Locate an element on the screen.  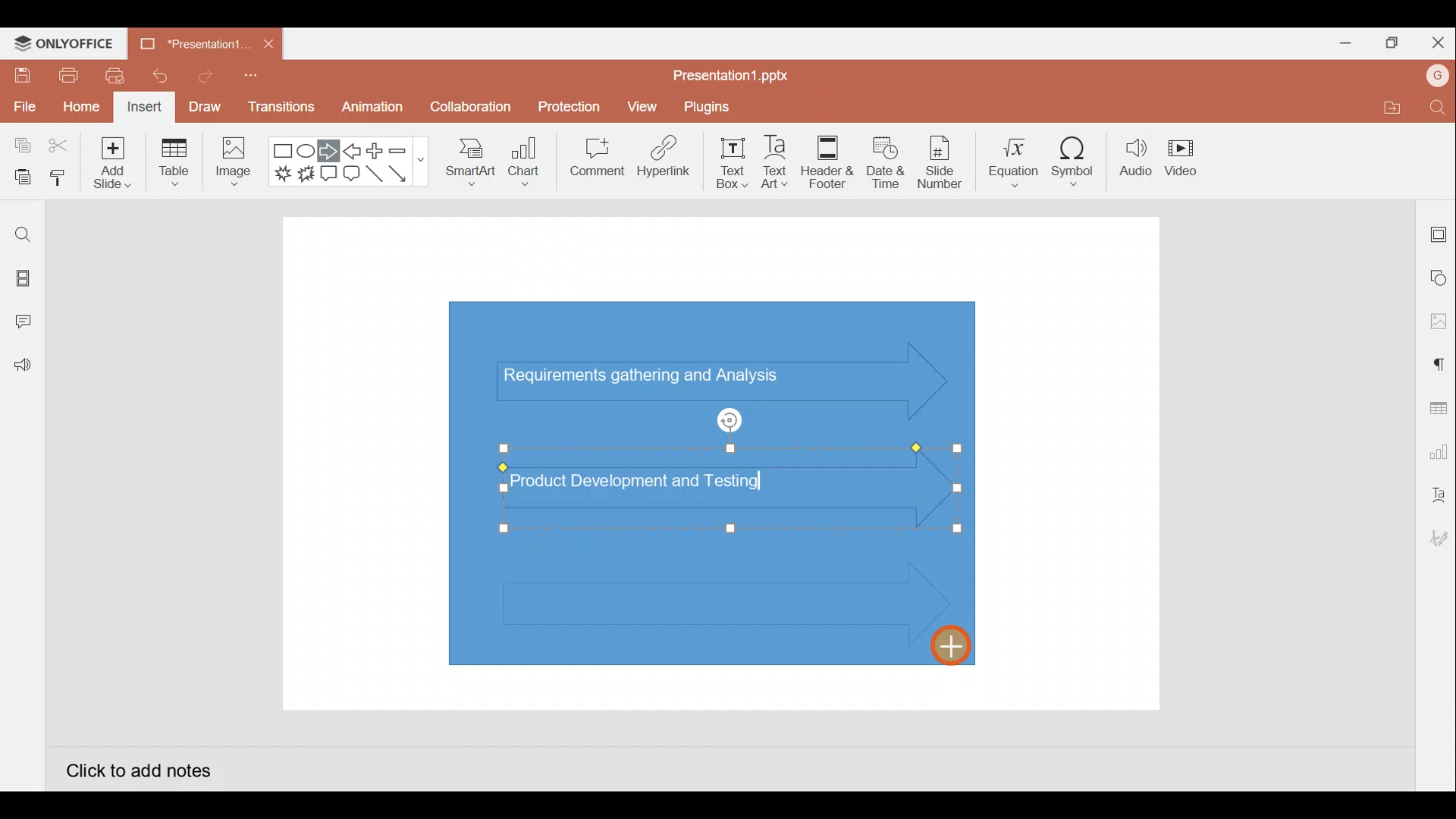
Insert is located at coordinates (145, 108).